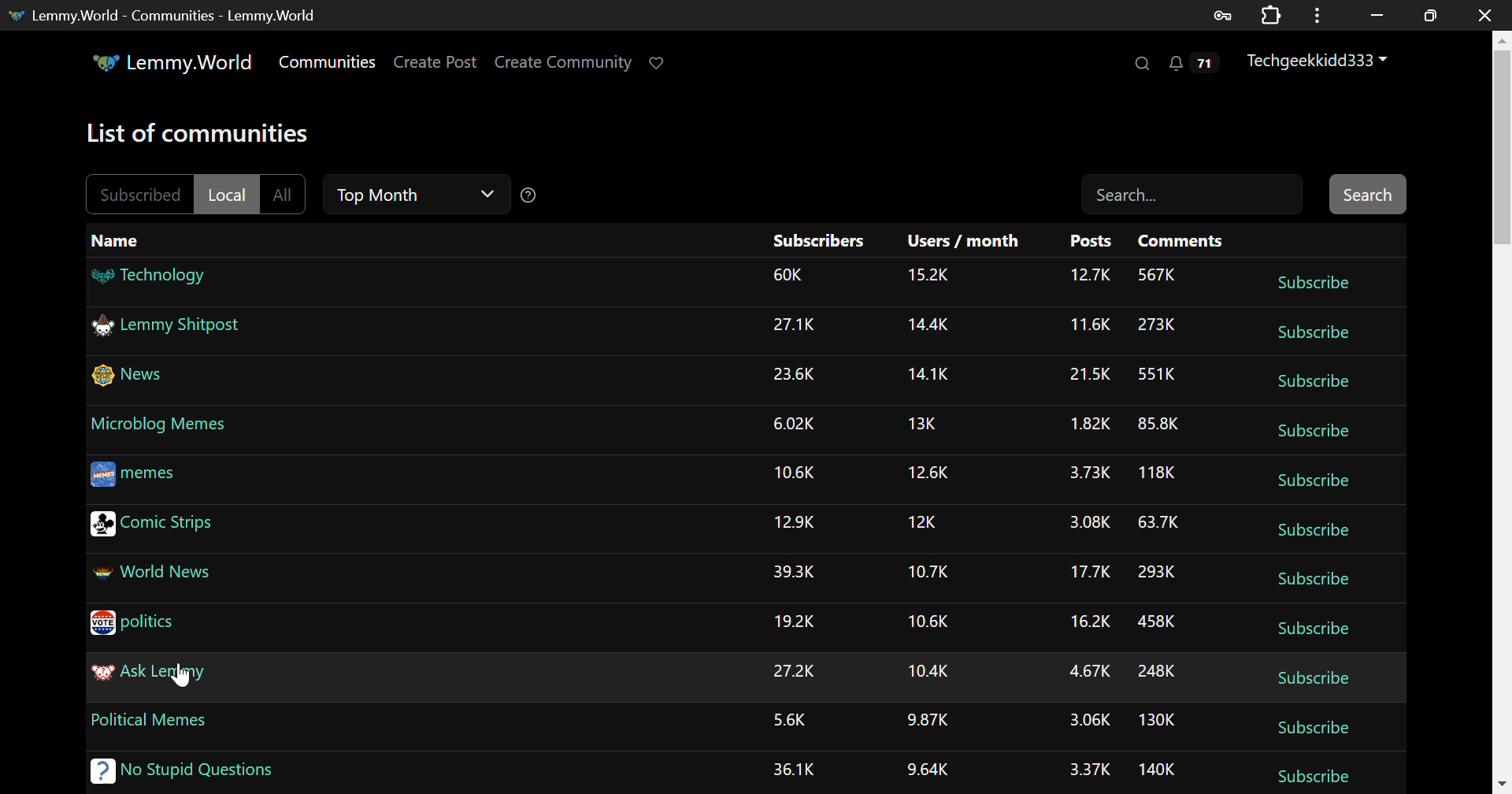 Image resolution: width=1512 pixels, height=794 pixels. What do you see at coordinates (230, 194) in the screenshot?
I see `Local Filter Selected` at bounding box center [230, 194].